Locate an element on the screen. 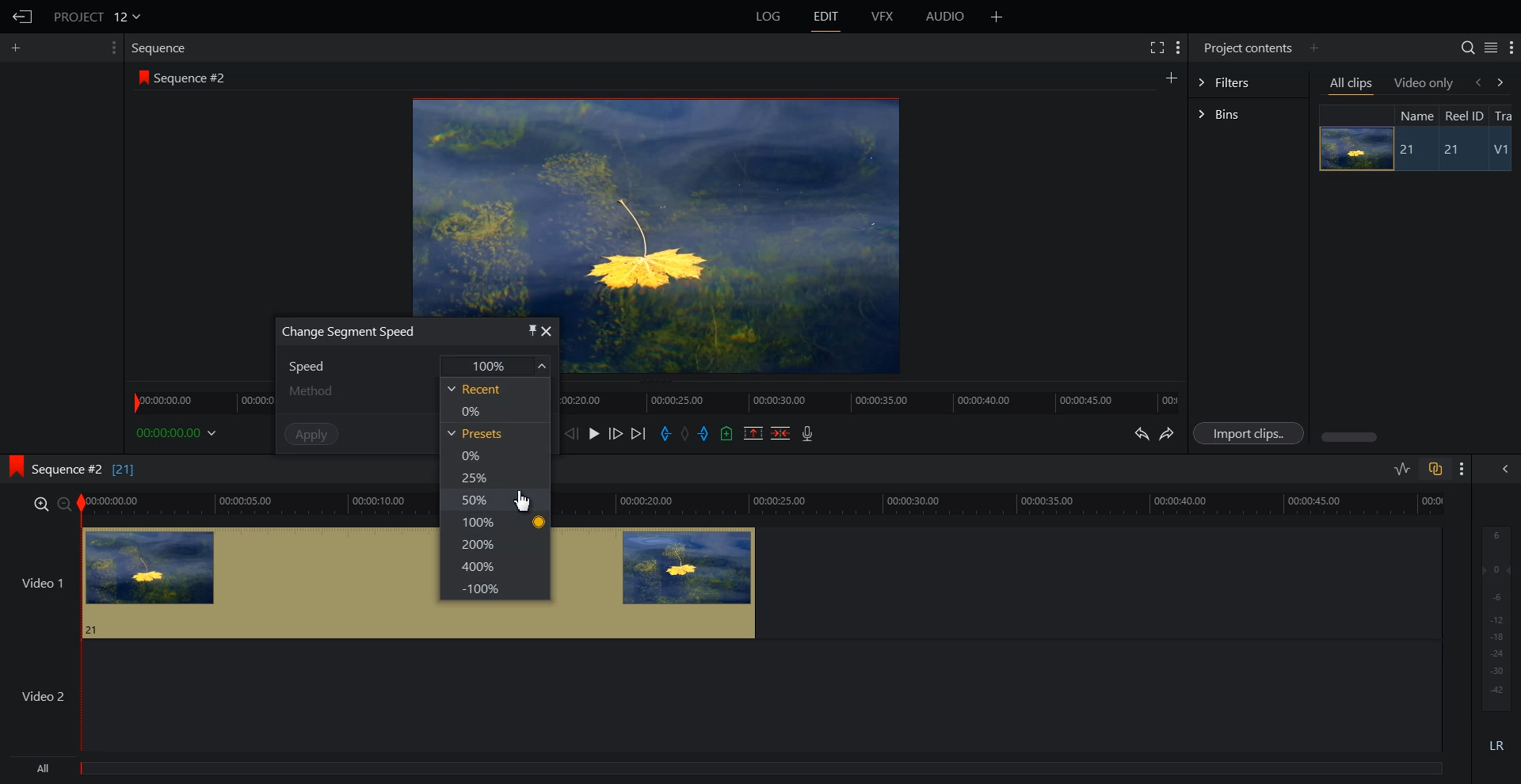  Delete is located at coordinates (781, 433).